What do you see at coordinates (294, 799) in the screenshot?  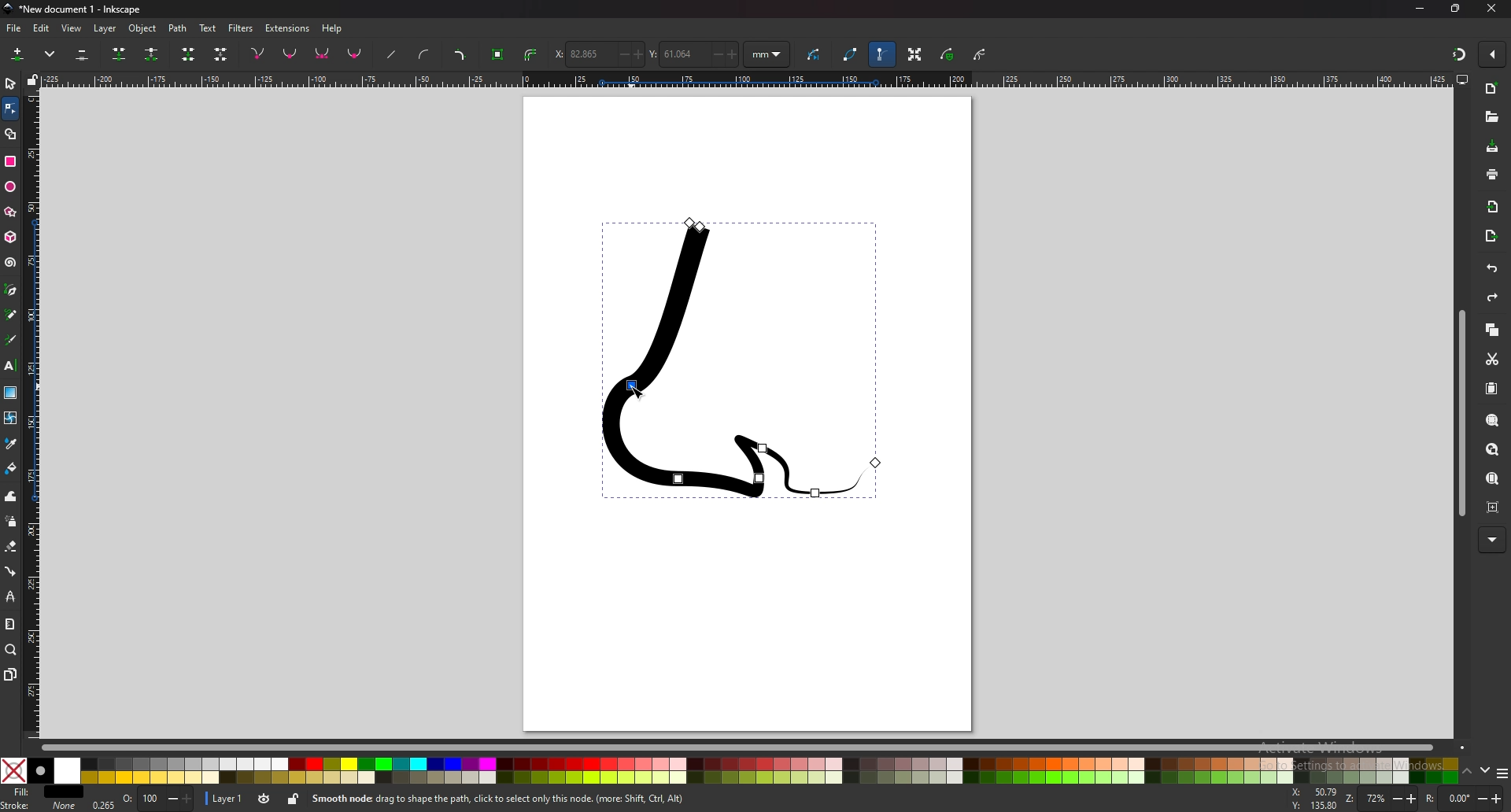 I see `lock` at bounding box center [294, 799].